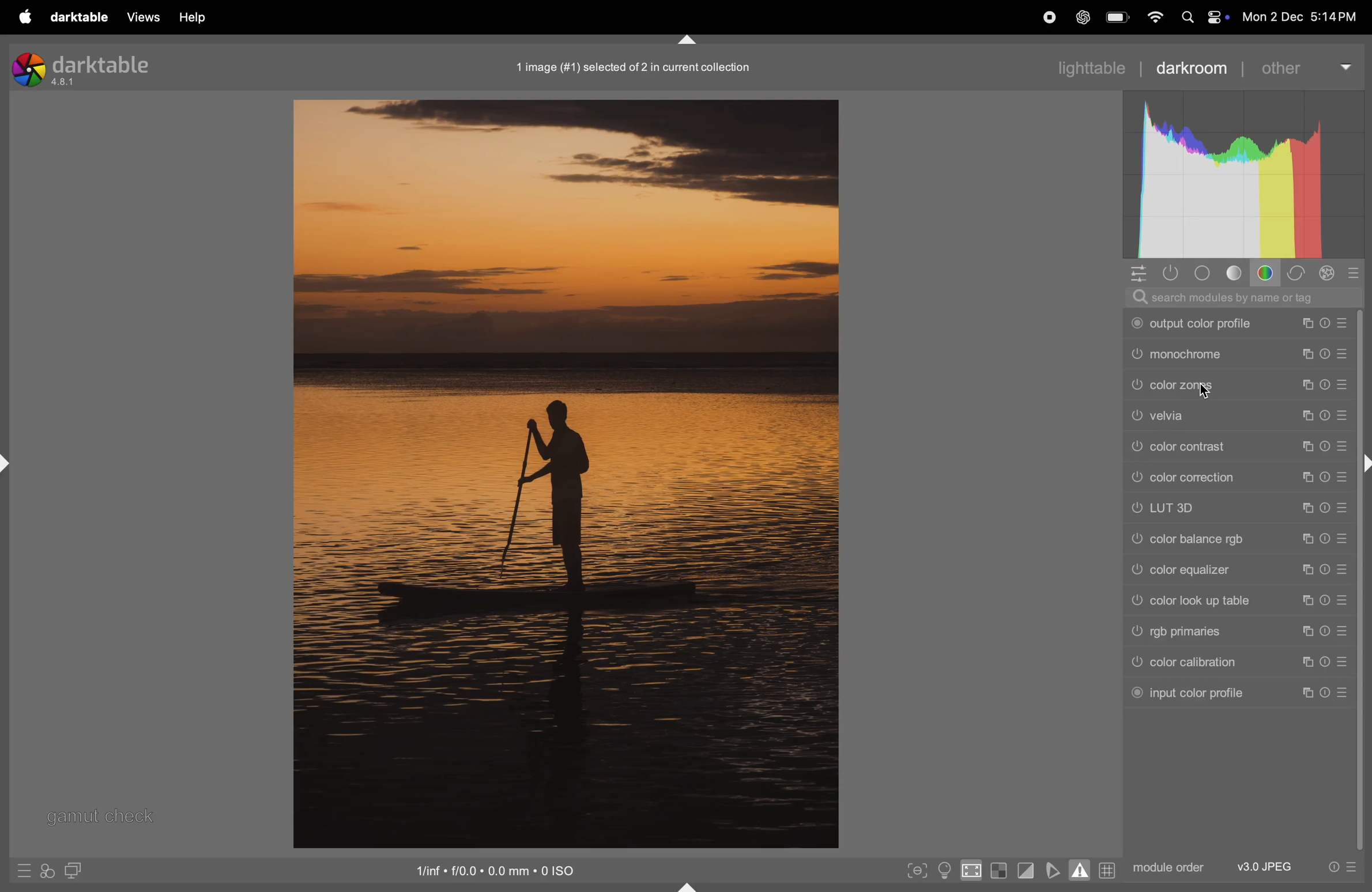 The height and width of the screenshot is (892, 1372). I want to click on Cursor, so click(1205, 391).